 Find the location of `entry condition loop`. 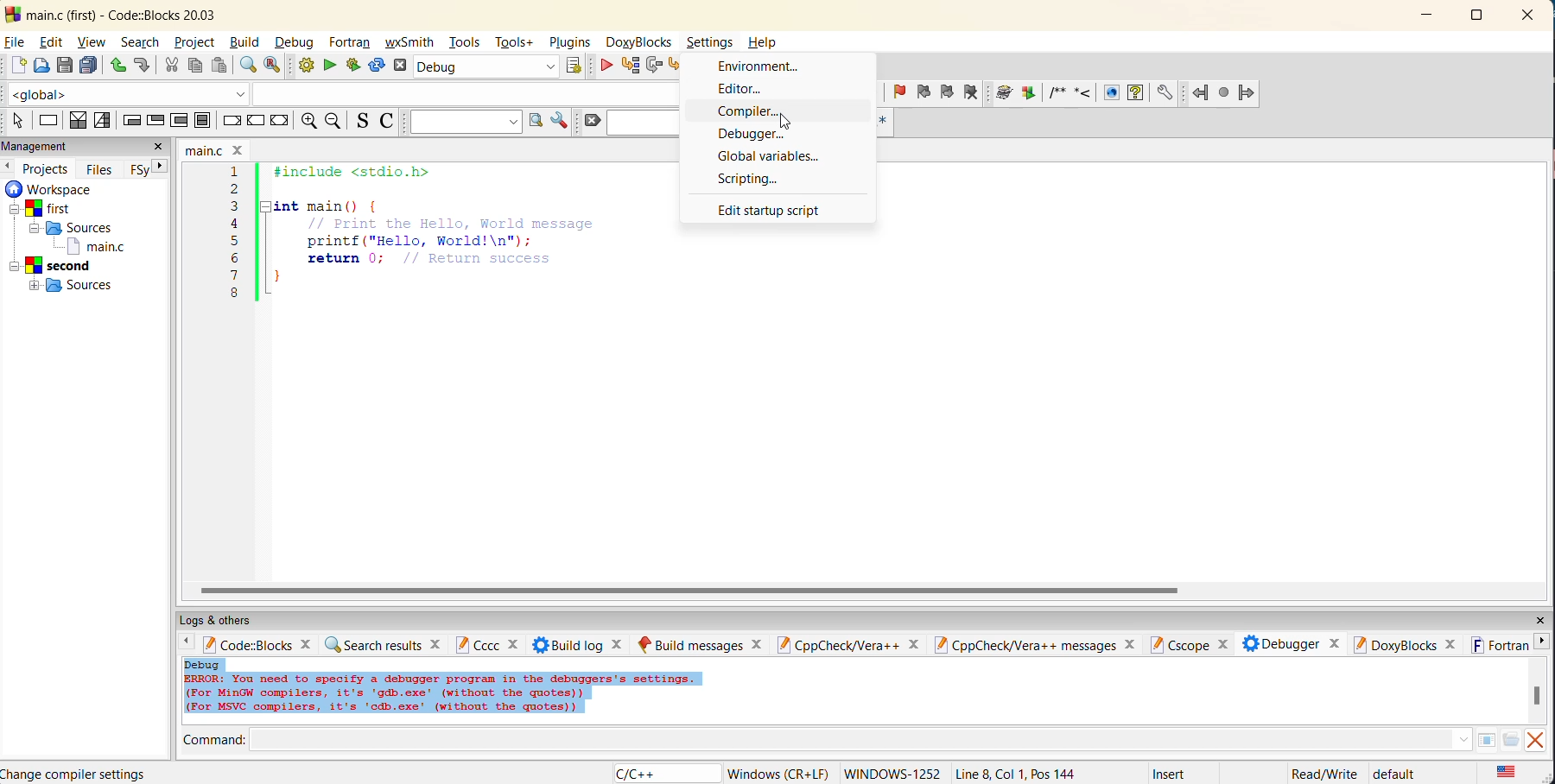

entry condition loop is located at coordinates (129, 122).